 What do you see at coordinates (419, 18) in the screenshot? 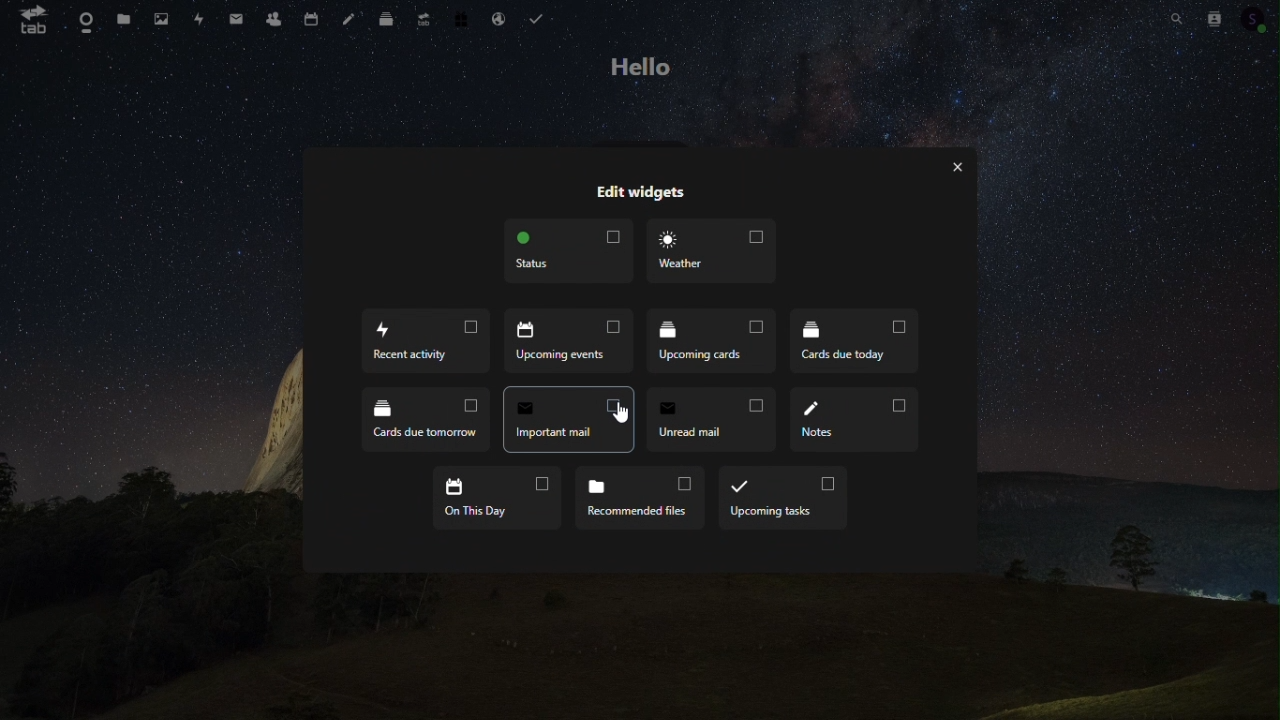
I see `Upgrade` at bounding box center [419, 18].